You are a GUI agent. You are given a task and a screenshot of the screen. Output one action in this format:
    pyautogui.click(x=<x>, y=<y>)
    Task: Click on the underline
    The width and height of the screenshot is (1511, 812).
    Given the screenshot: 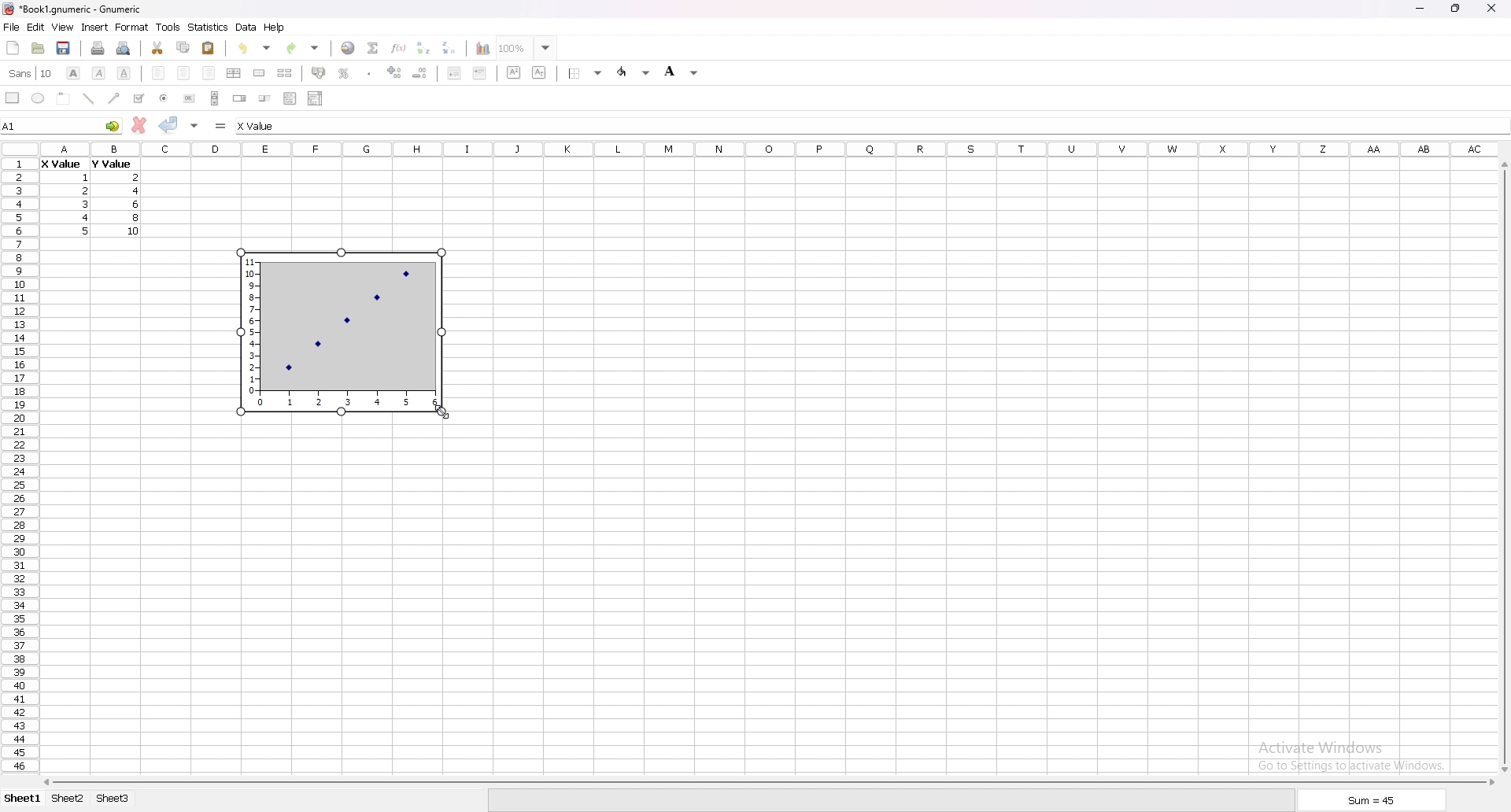 What is the action you would take?
    pyautogui.click(x=124, y=73)
    